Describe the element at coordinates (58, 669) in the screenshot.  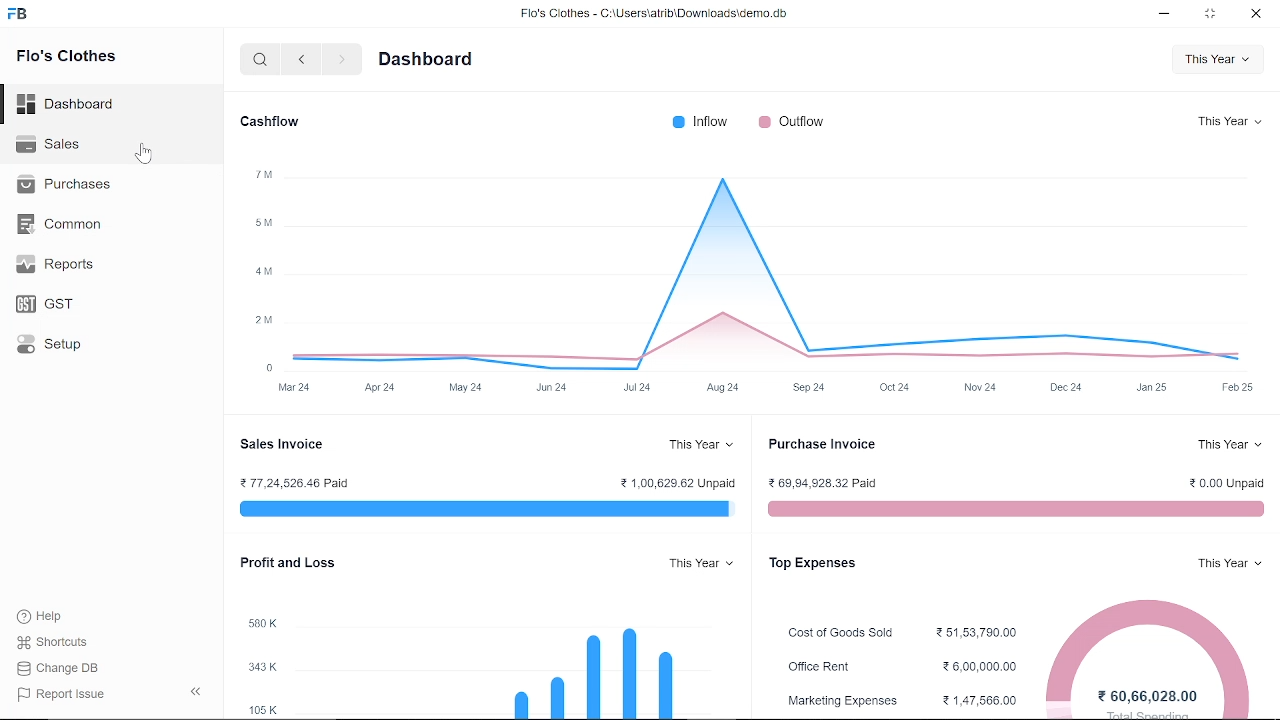
I see `Change DB` at that location.